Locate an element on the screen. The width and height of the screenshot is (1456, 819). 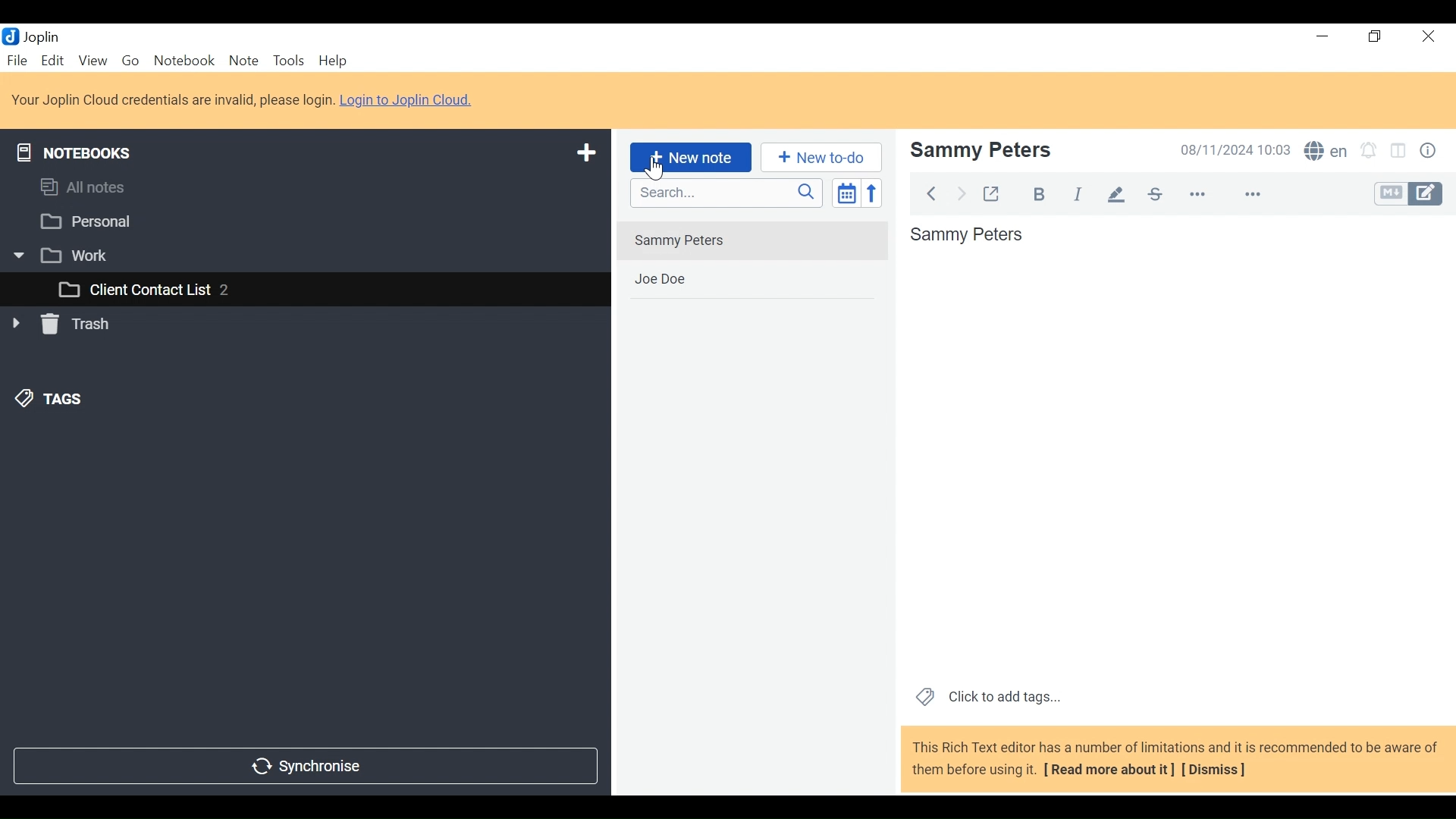
Forward is located at coordinates (962, 193).